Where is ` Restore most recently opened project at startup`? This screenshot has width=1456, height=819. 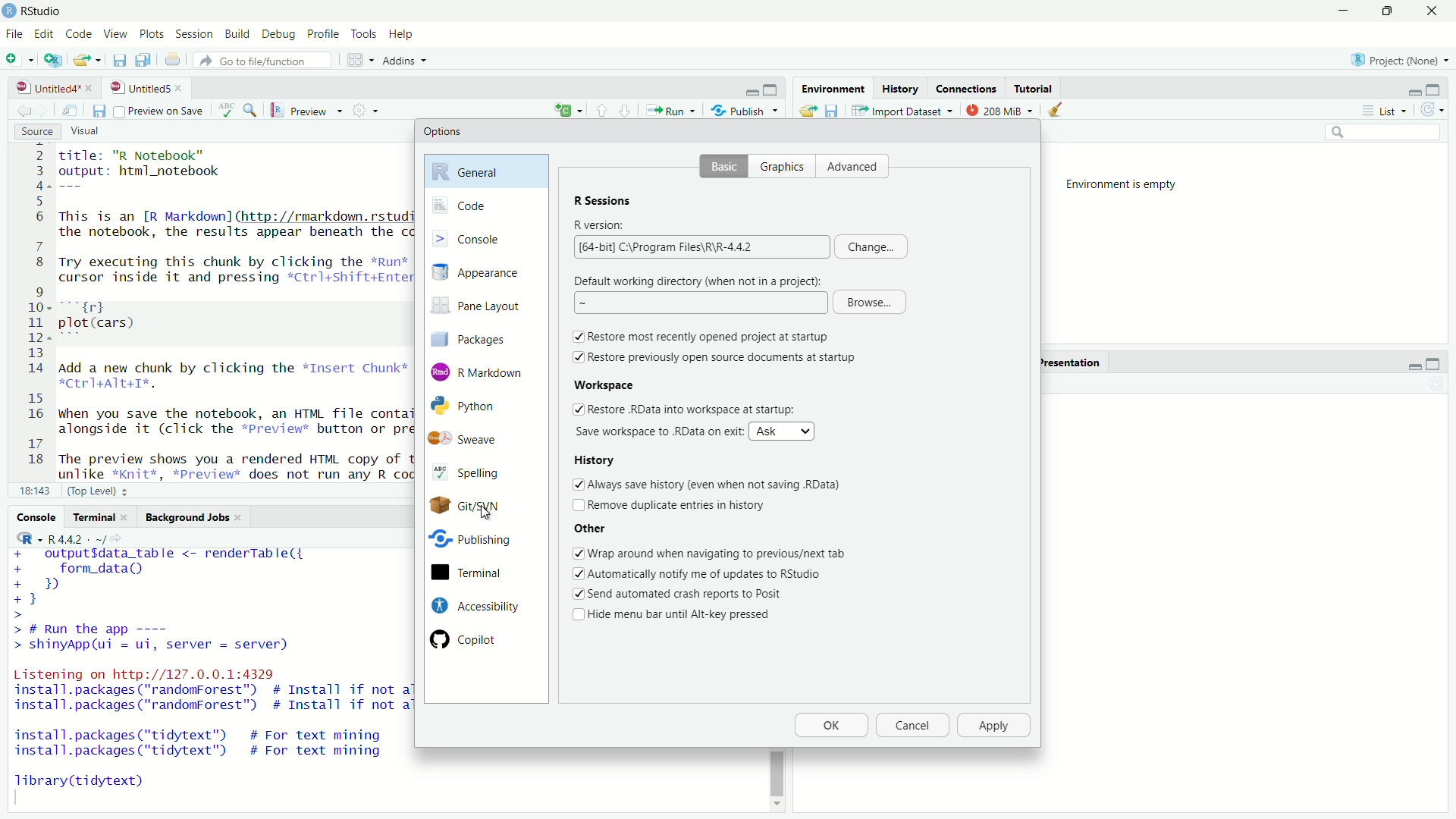
 Restore most recently opened project at startup is located at coordinates (711, 337).